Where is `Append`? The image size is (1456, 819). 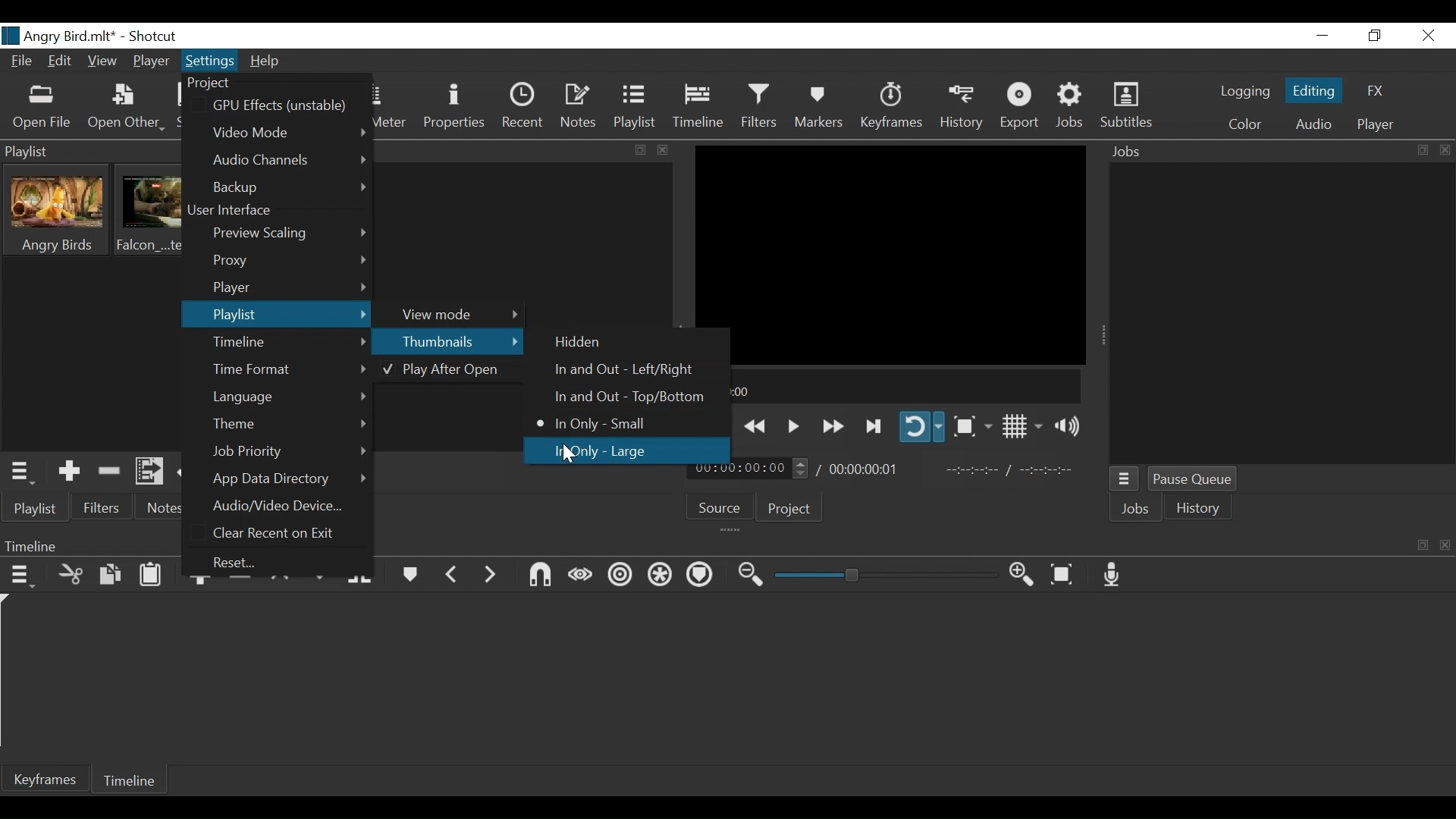
Append is located at coordinates (202, 583).